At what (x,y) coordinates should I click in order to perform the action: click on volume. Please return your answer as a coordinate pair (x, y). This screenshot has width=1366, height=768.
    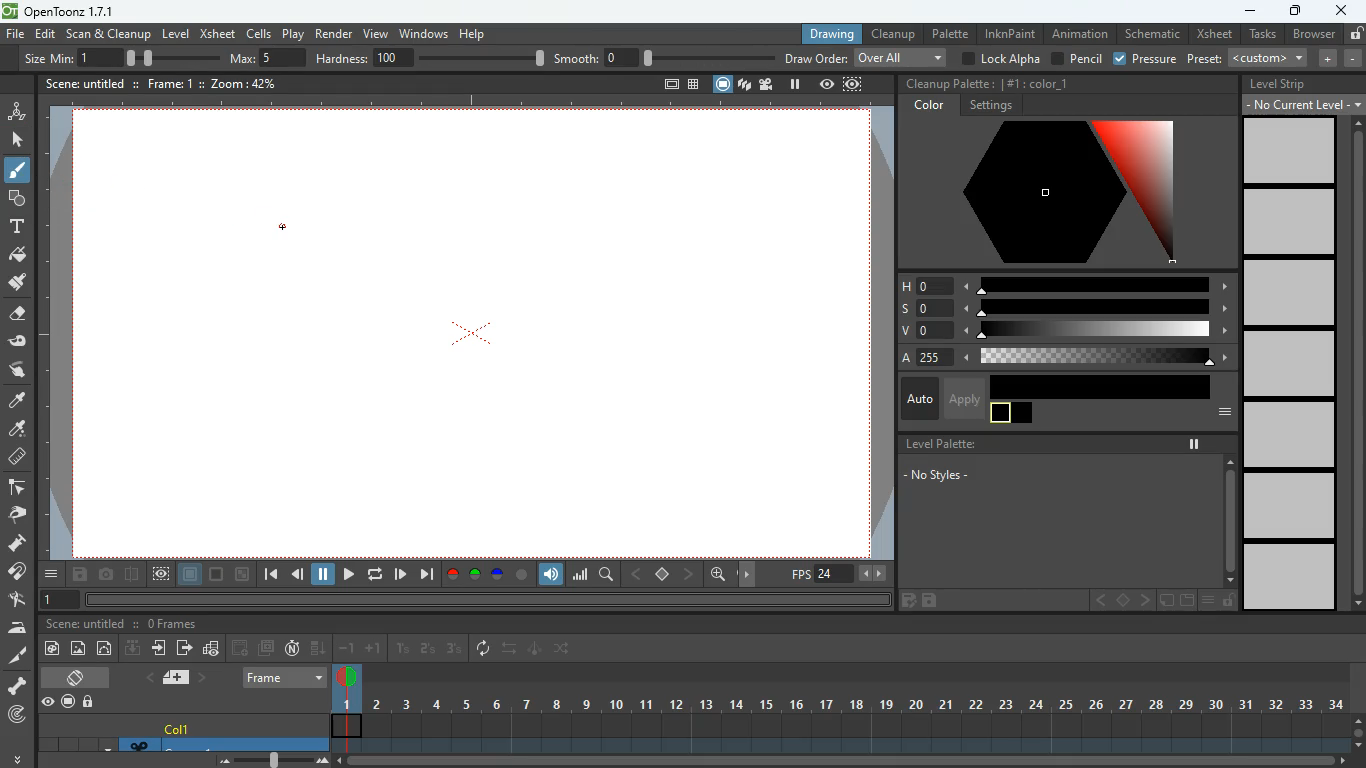
    Looking at the image, I should click on (552, 575).